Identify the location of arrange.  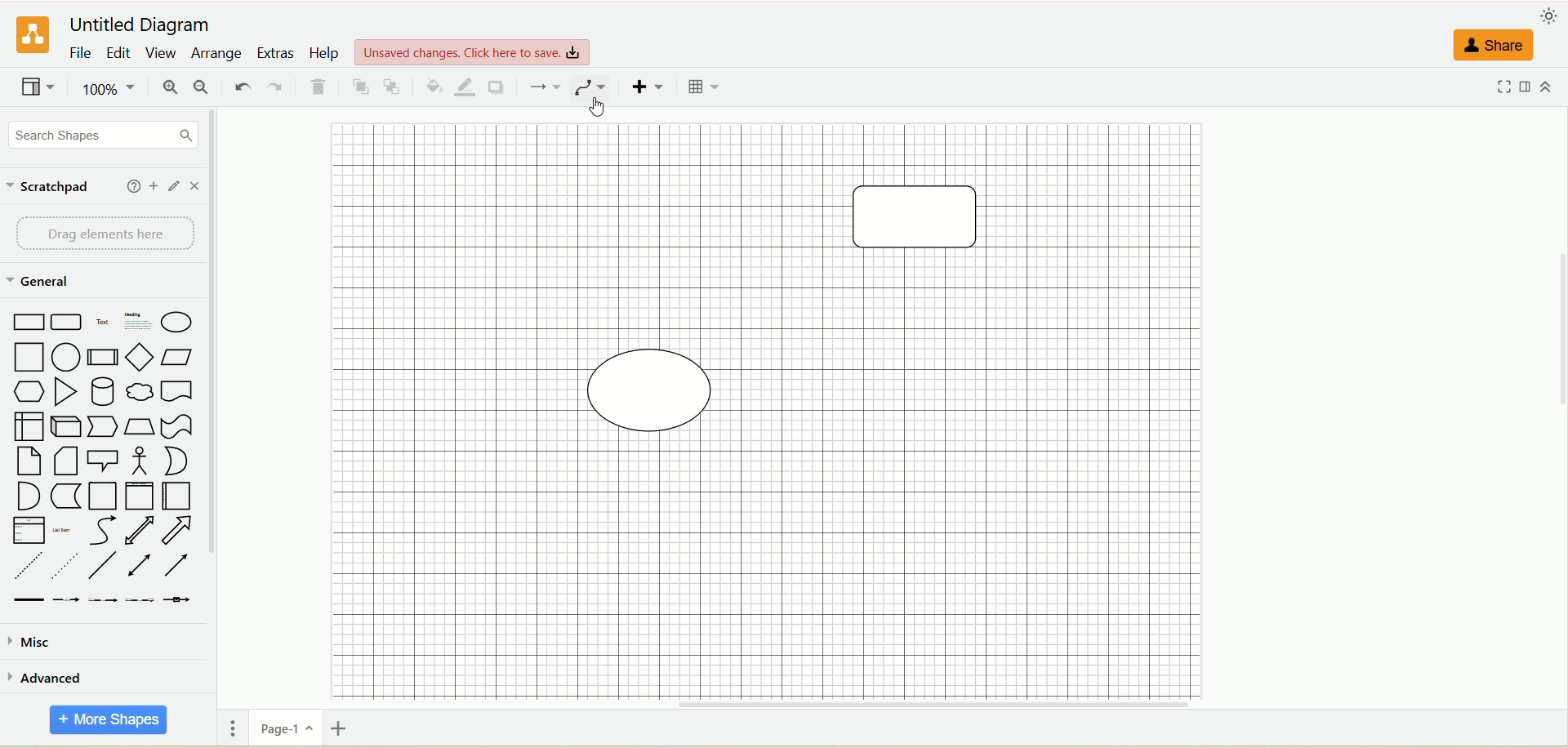
(218, 52).